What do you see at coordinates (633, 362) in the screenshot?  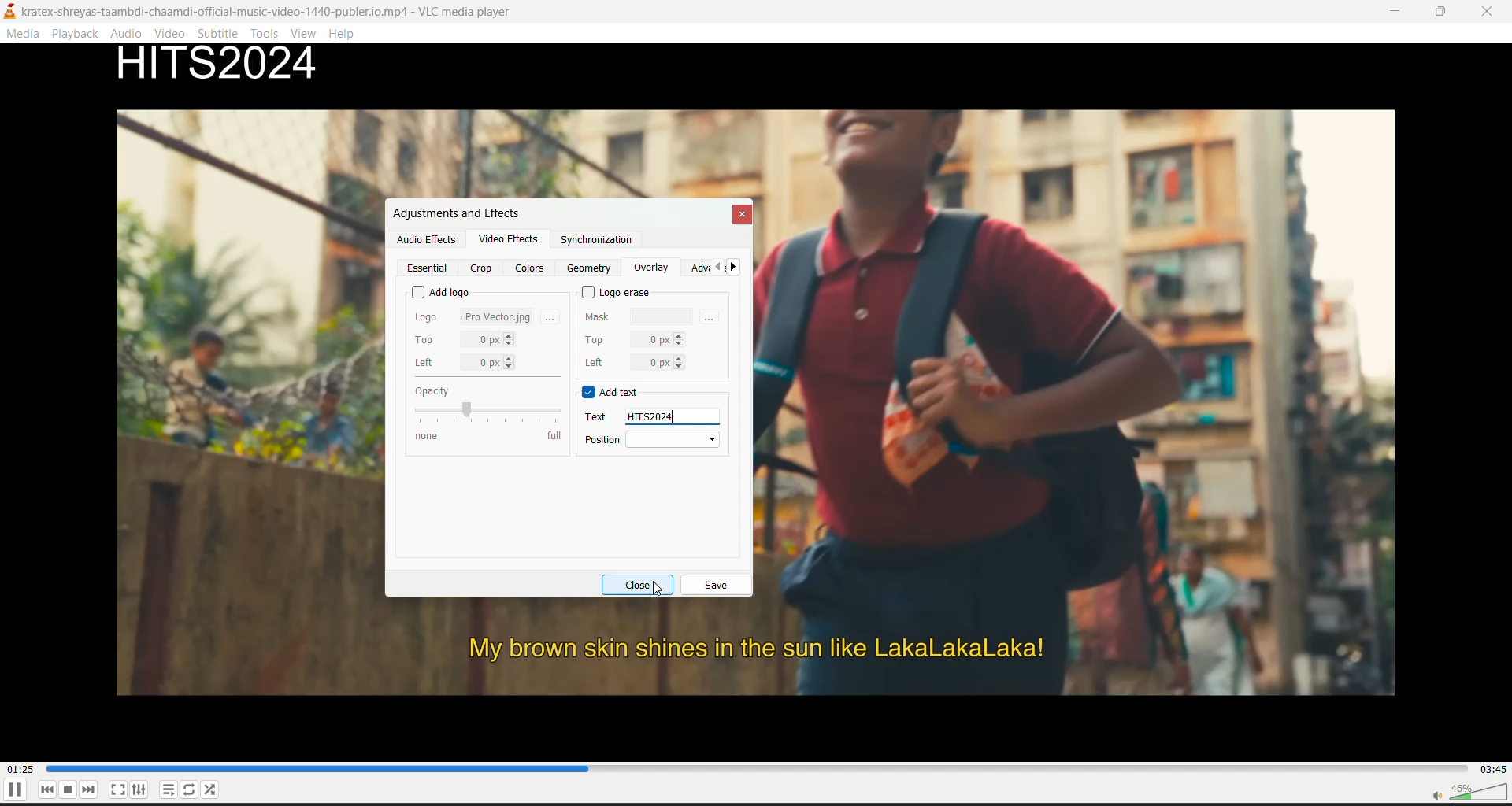 I see `left` at bounding box center [633, 362].